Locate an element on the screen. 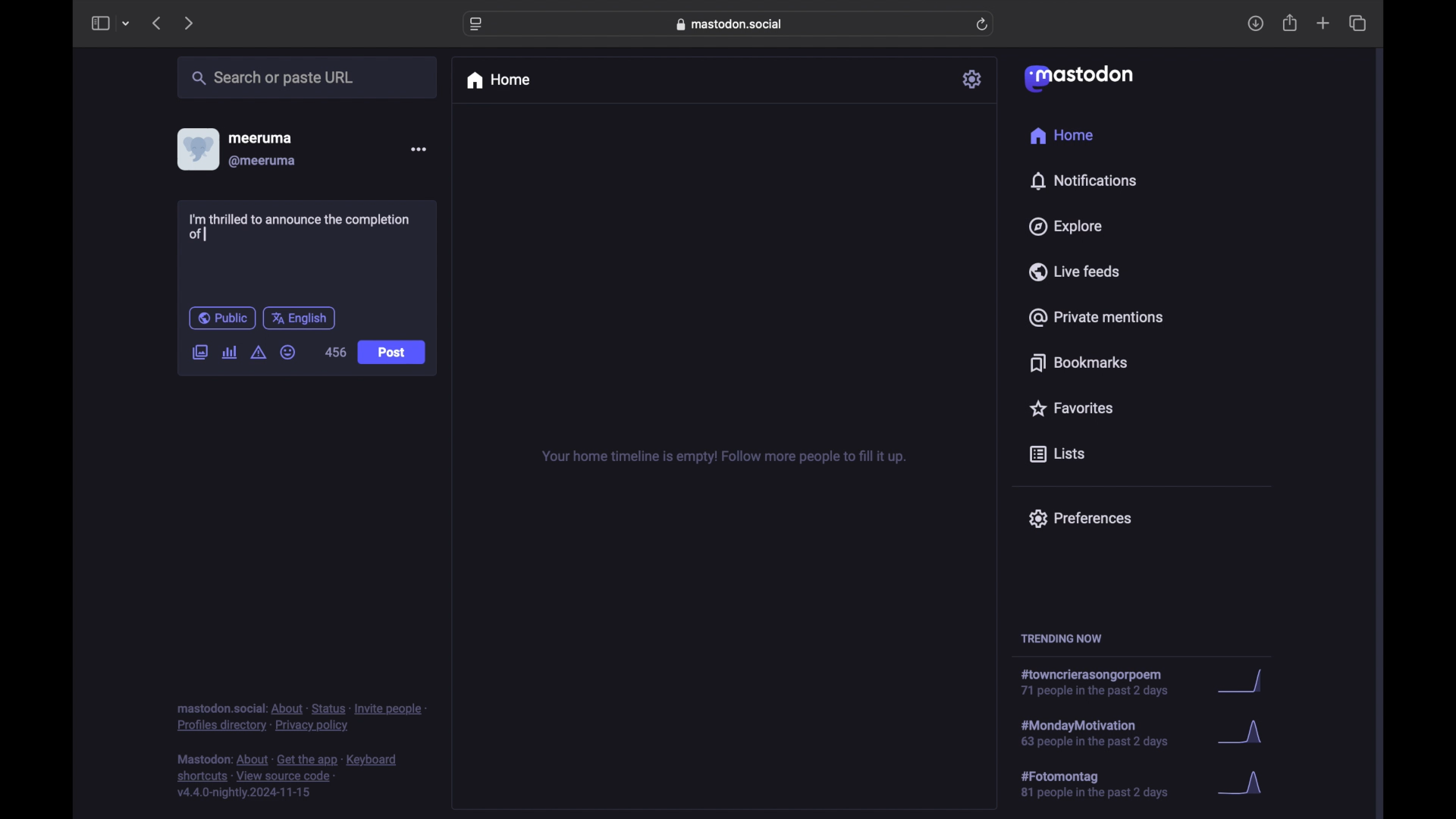  home is located at coordinates (1063, 135).